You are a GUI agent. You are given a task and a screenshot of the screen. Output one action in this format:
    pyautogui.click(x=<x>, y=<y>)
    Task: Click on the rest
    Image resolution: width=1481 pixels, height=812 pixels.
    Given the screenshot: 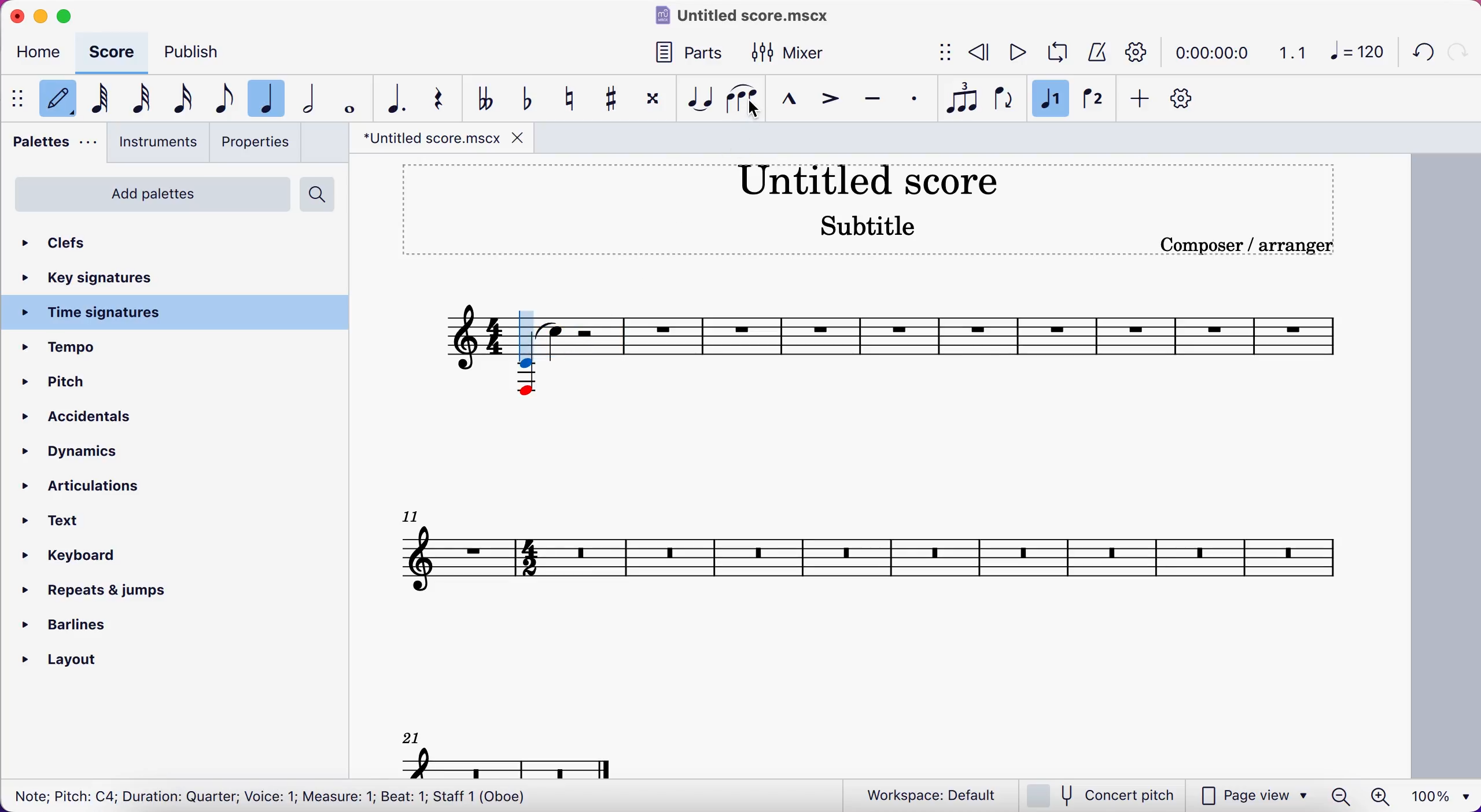 What is the action you would take?
    pyautogui.click(x=446, y=101)
    